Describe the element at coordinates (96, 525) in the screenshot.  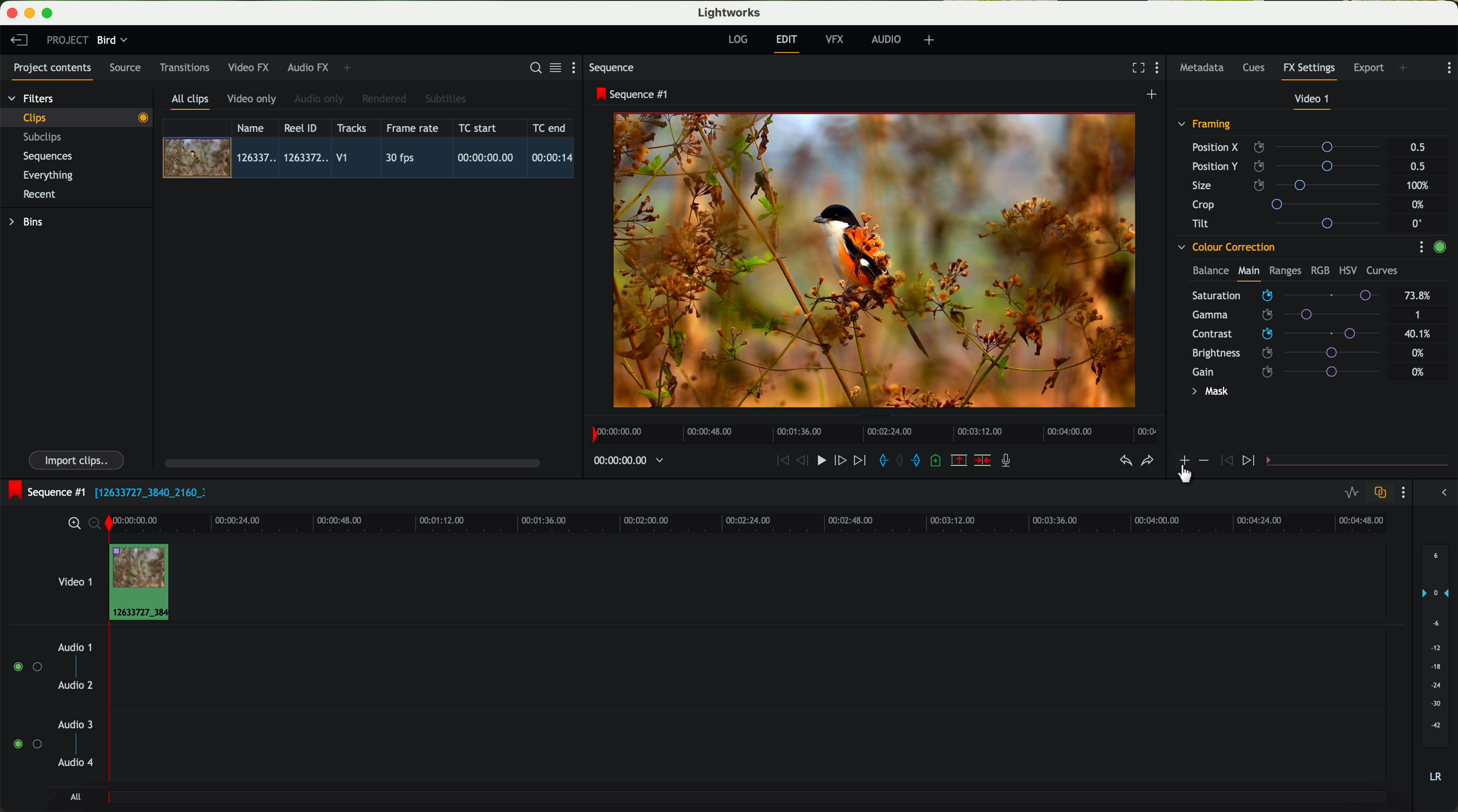
I see `zoom out` at that location.